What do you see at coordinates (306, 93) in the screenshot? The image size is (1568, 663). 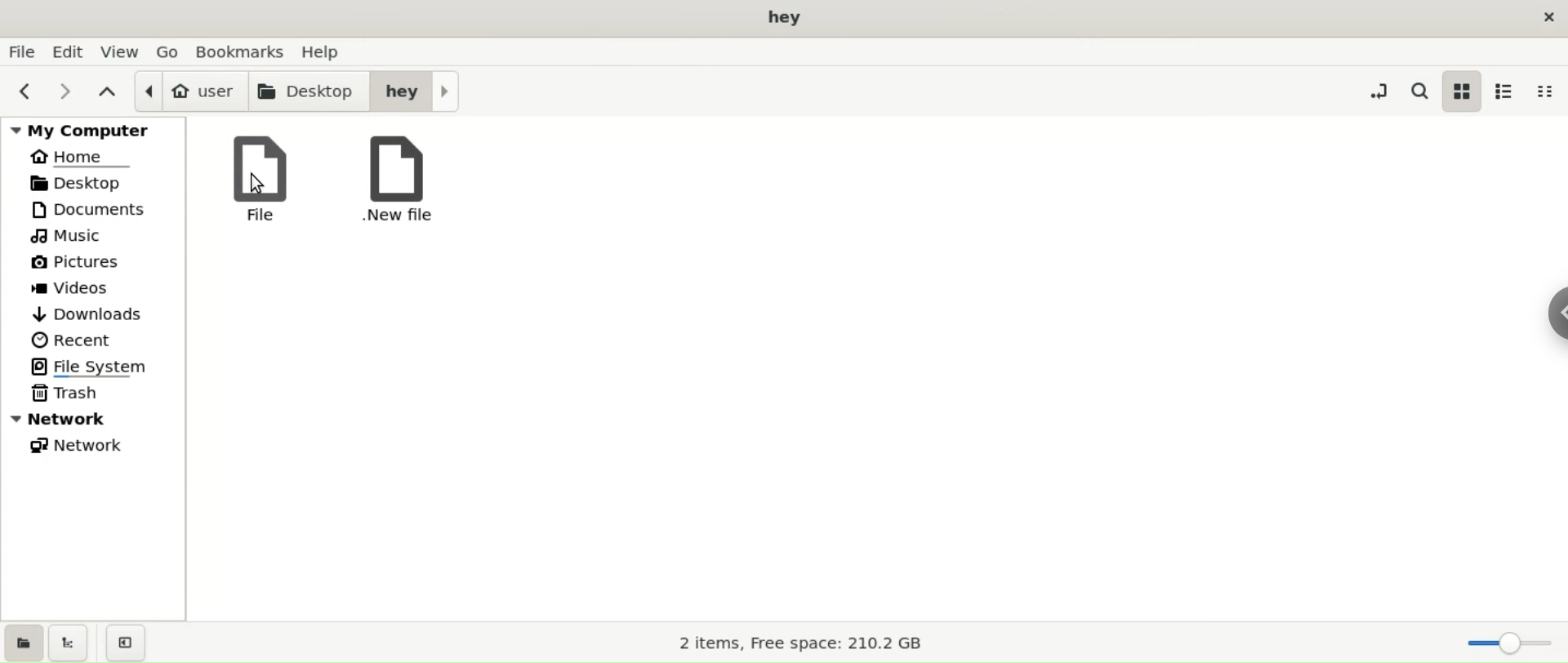 I see `desktop` at bounding box center [306, 93].